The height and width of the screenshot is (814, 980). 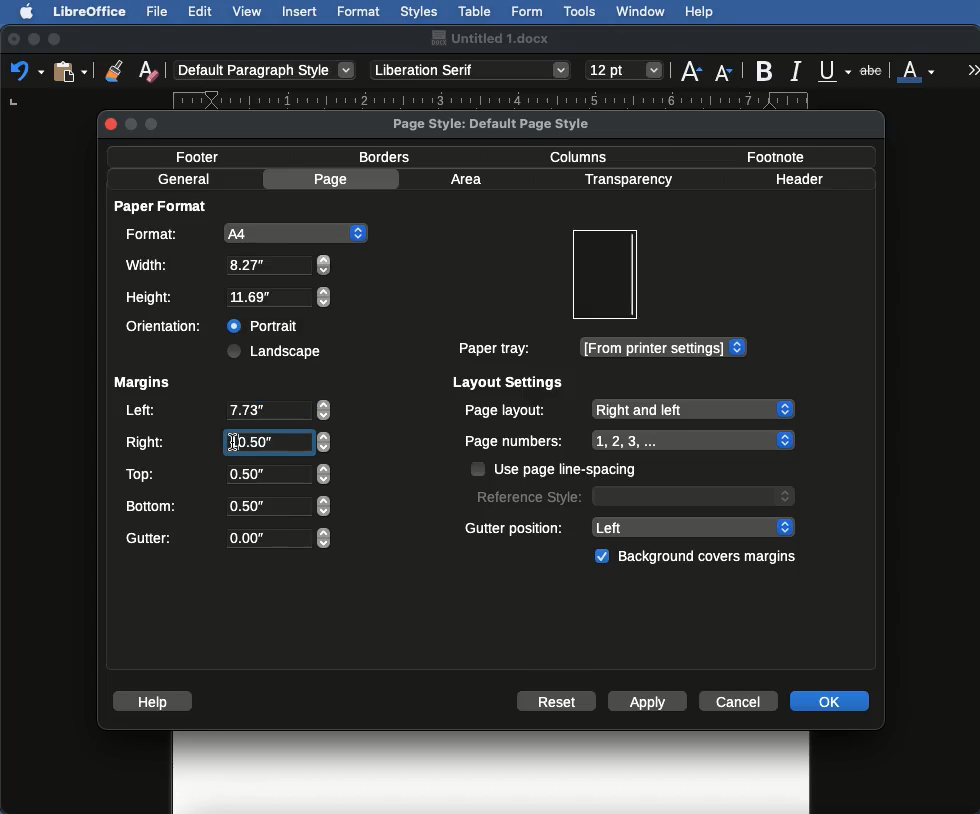 What do you see at coordinates (110, 126) in the screenshot?
I see `close` at bounding box center [110, 126].